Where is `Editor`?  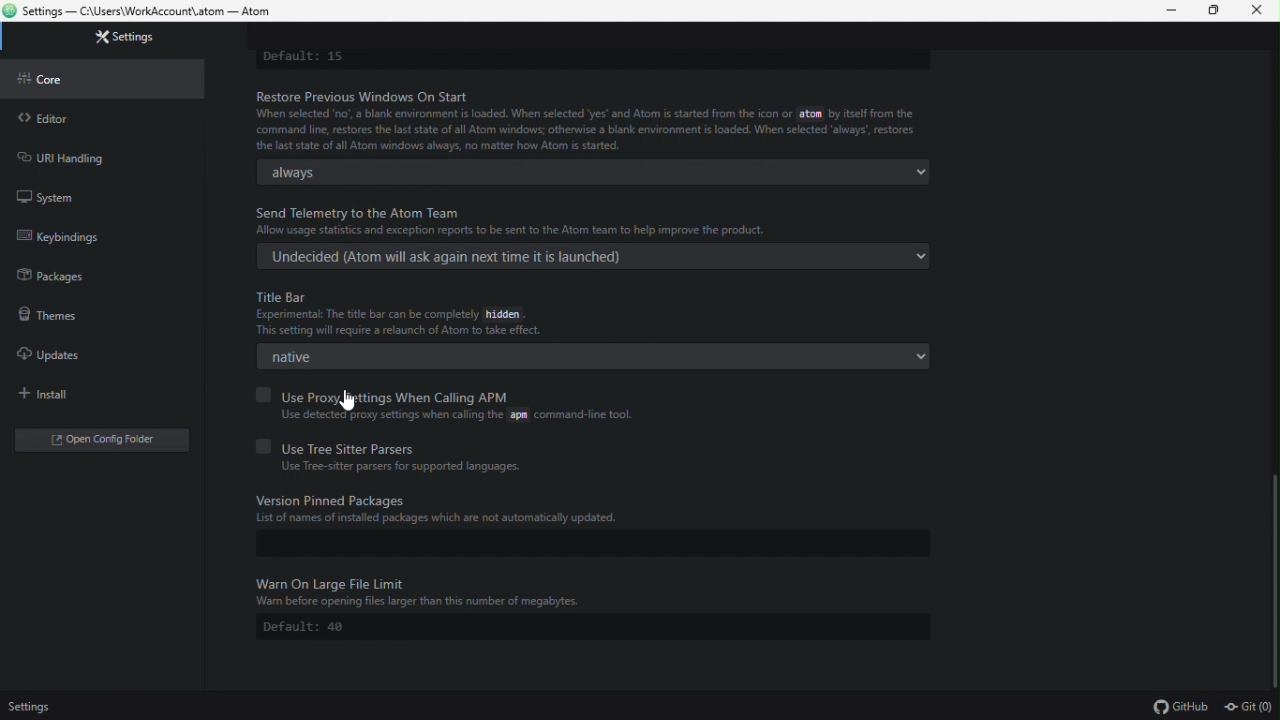 Editor is located at coordinates (105, 118).